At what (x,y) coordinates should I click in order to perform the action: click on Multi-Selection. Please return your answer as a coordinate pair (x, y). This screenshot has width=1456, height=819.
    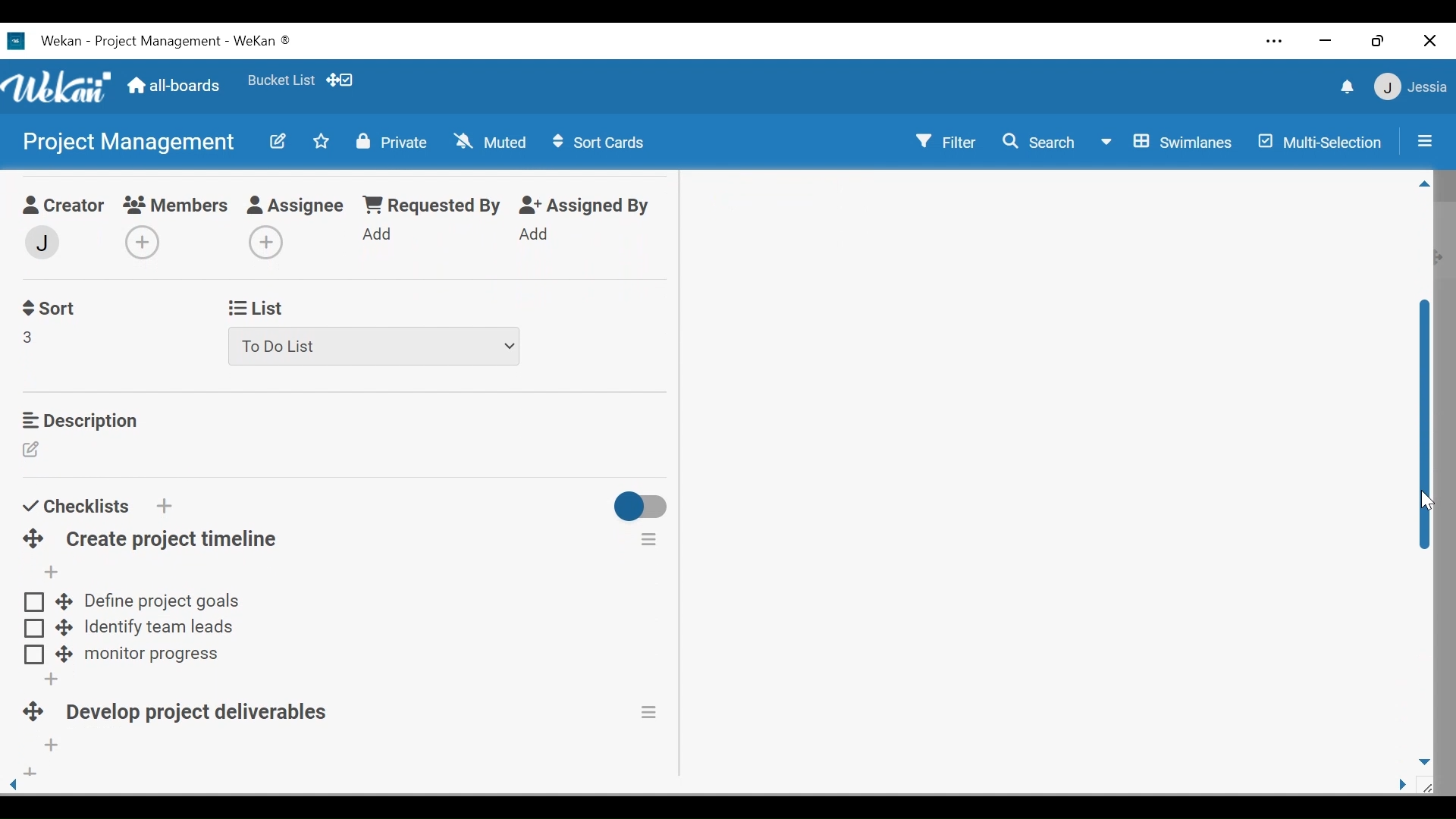
    Looking at the image, I should click on (1317, 142).